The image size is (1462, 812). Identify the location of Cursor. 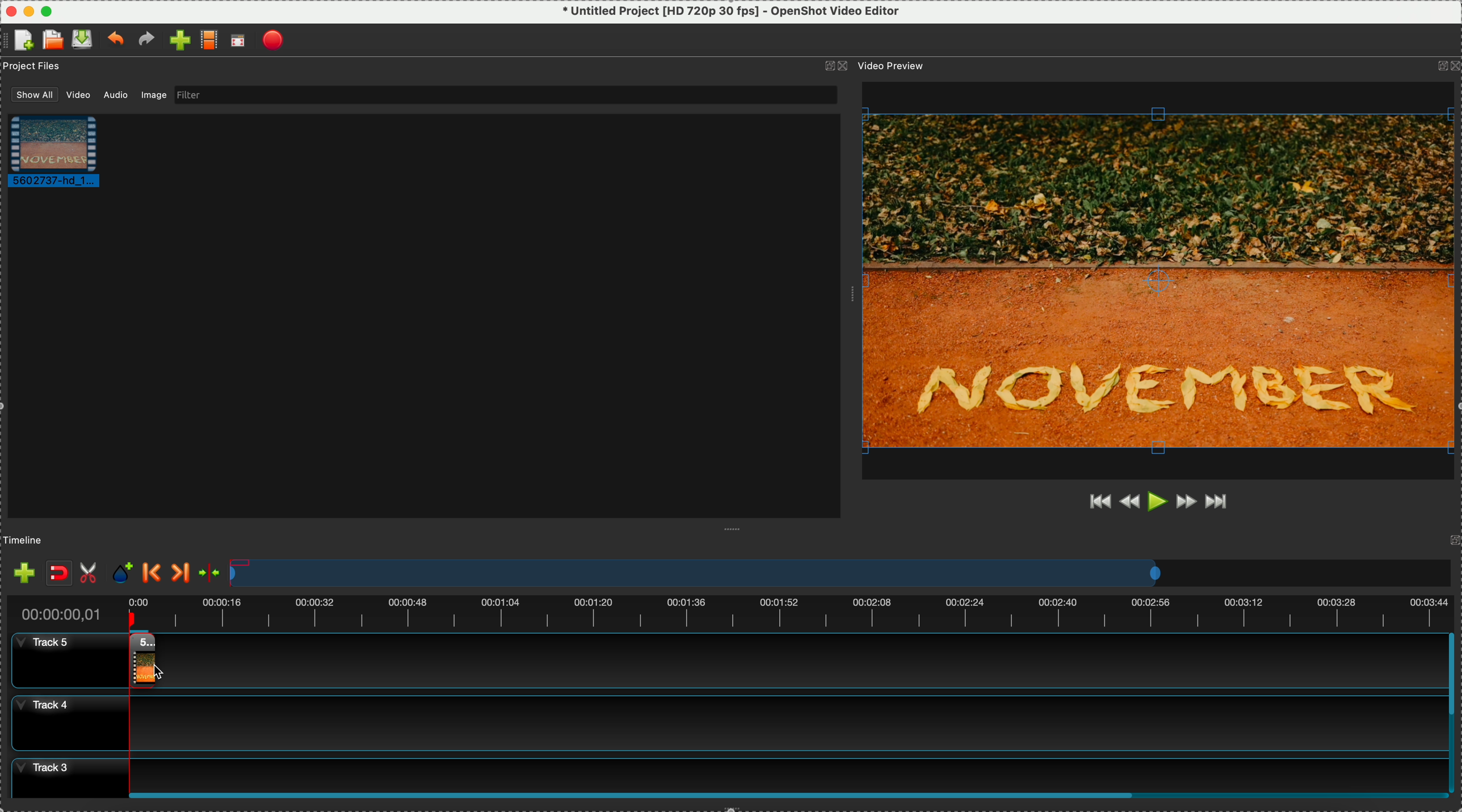
(129, 662).